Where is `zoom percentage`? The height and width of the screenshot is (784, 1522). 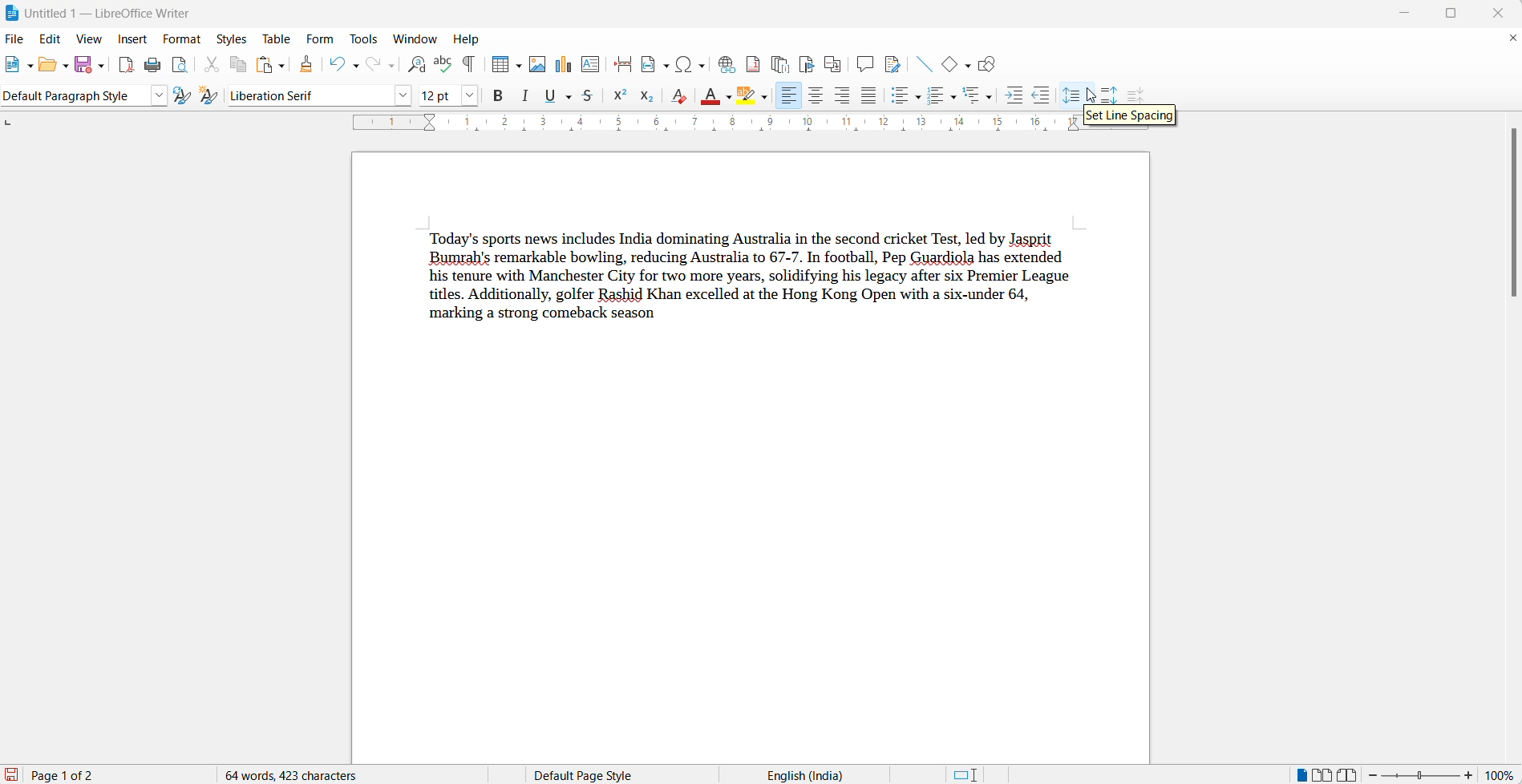
zoom percentage is located at coordinates (1502, 774).